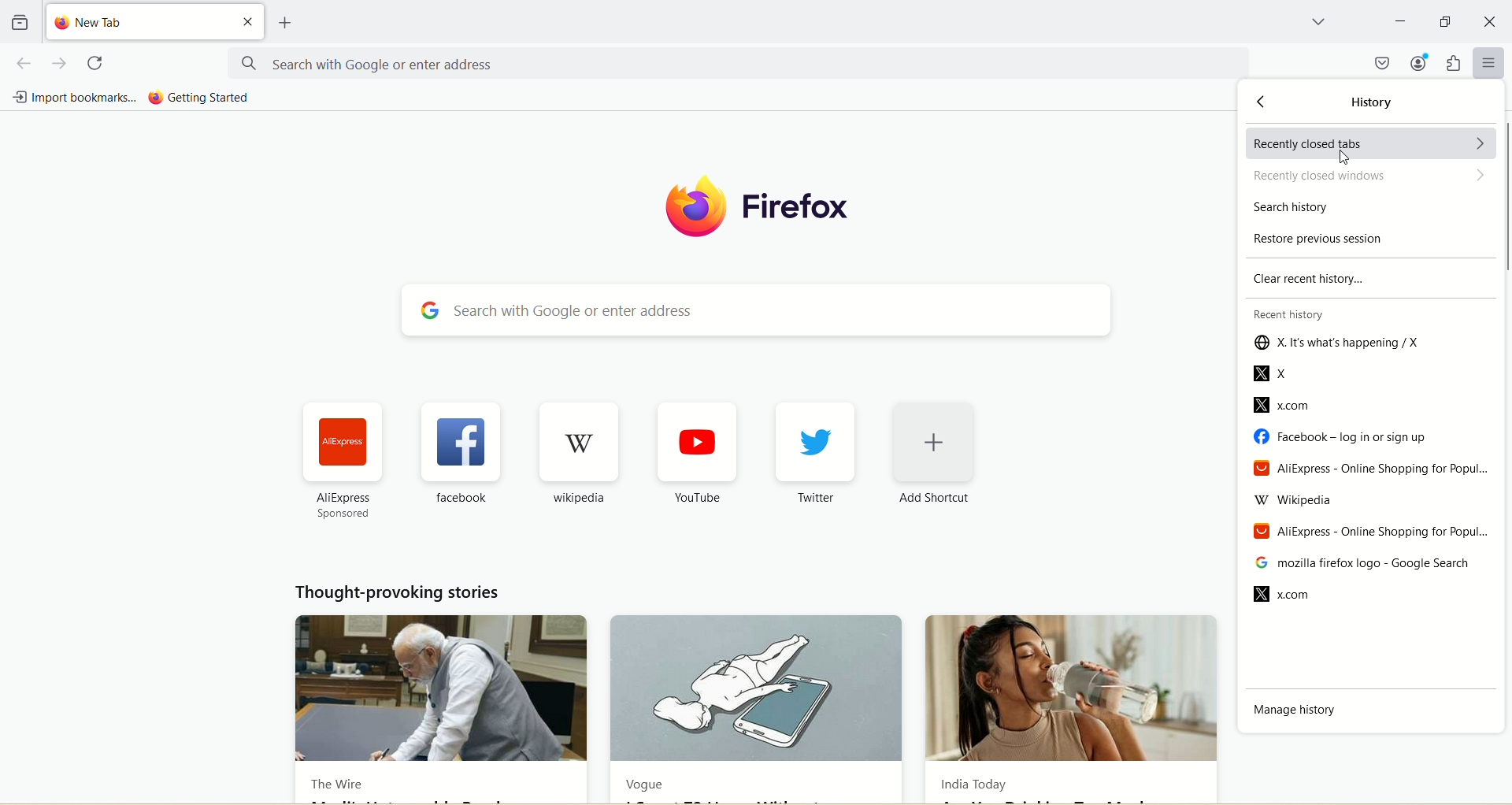  I want to click on add shortcut, so click(933, 441).